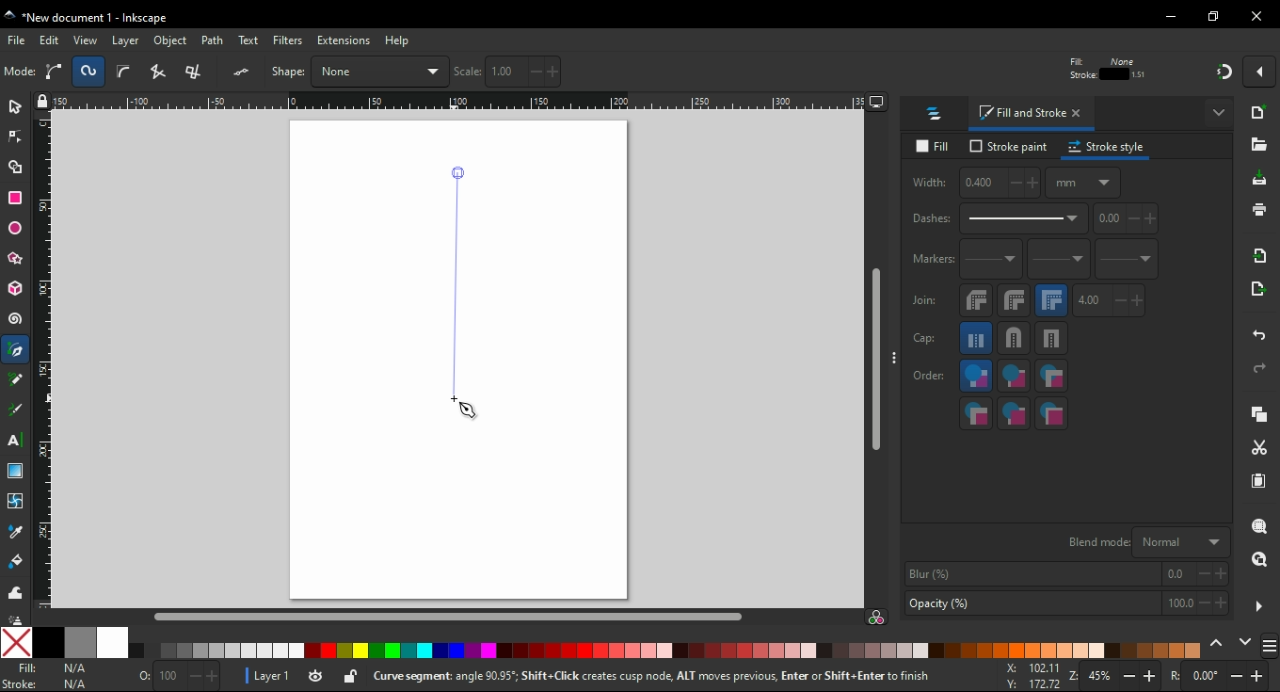  I want to click on more settings, so click(1259, 607).